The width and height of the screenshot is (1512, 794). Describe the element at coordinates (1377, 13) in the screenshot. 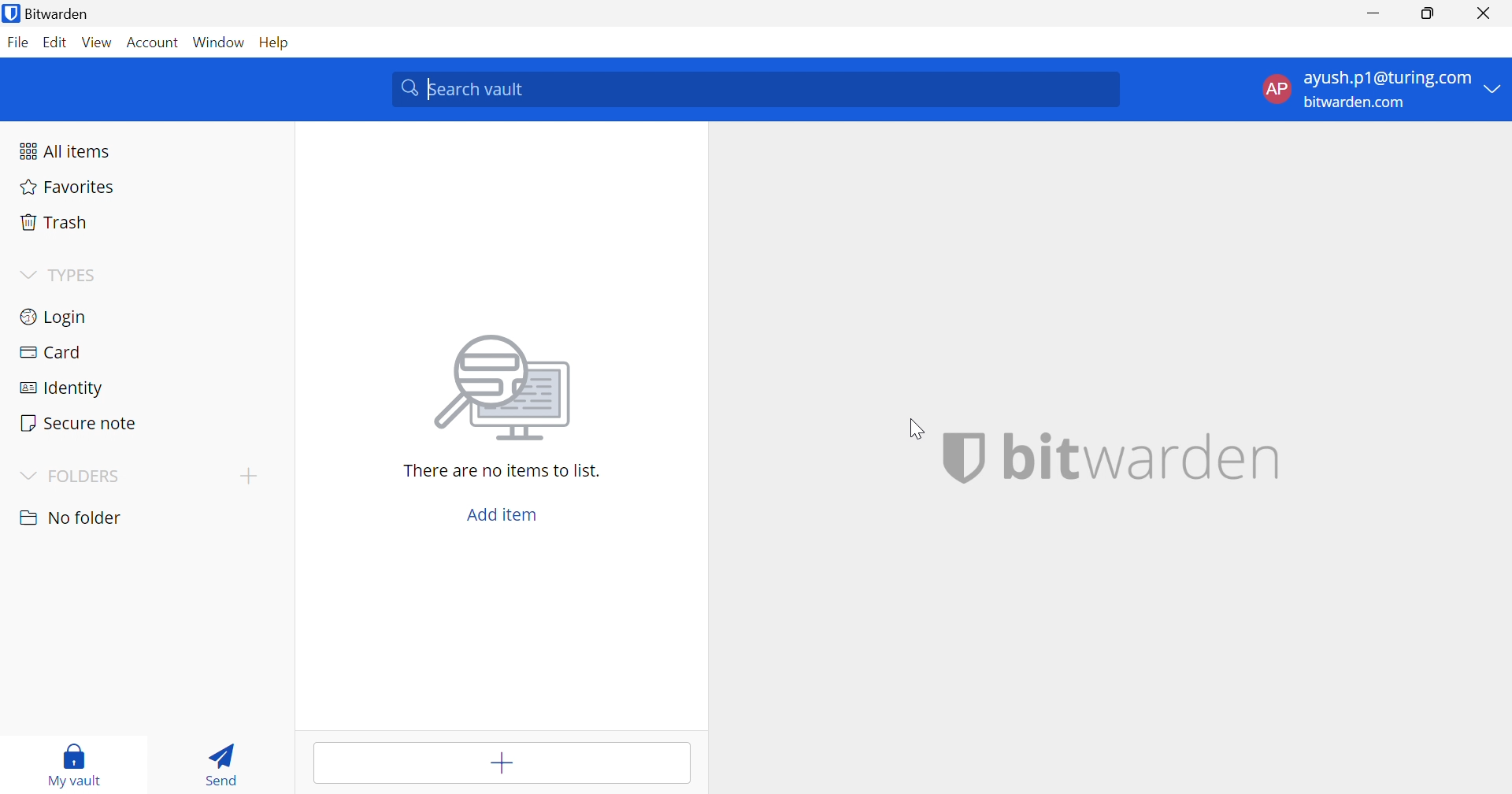

I see `Minimize` at that location.